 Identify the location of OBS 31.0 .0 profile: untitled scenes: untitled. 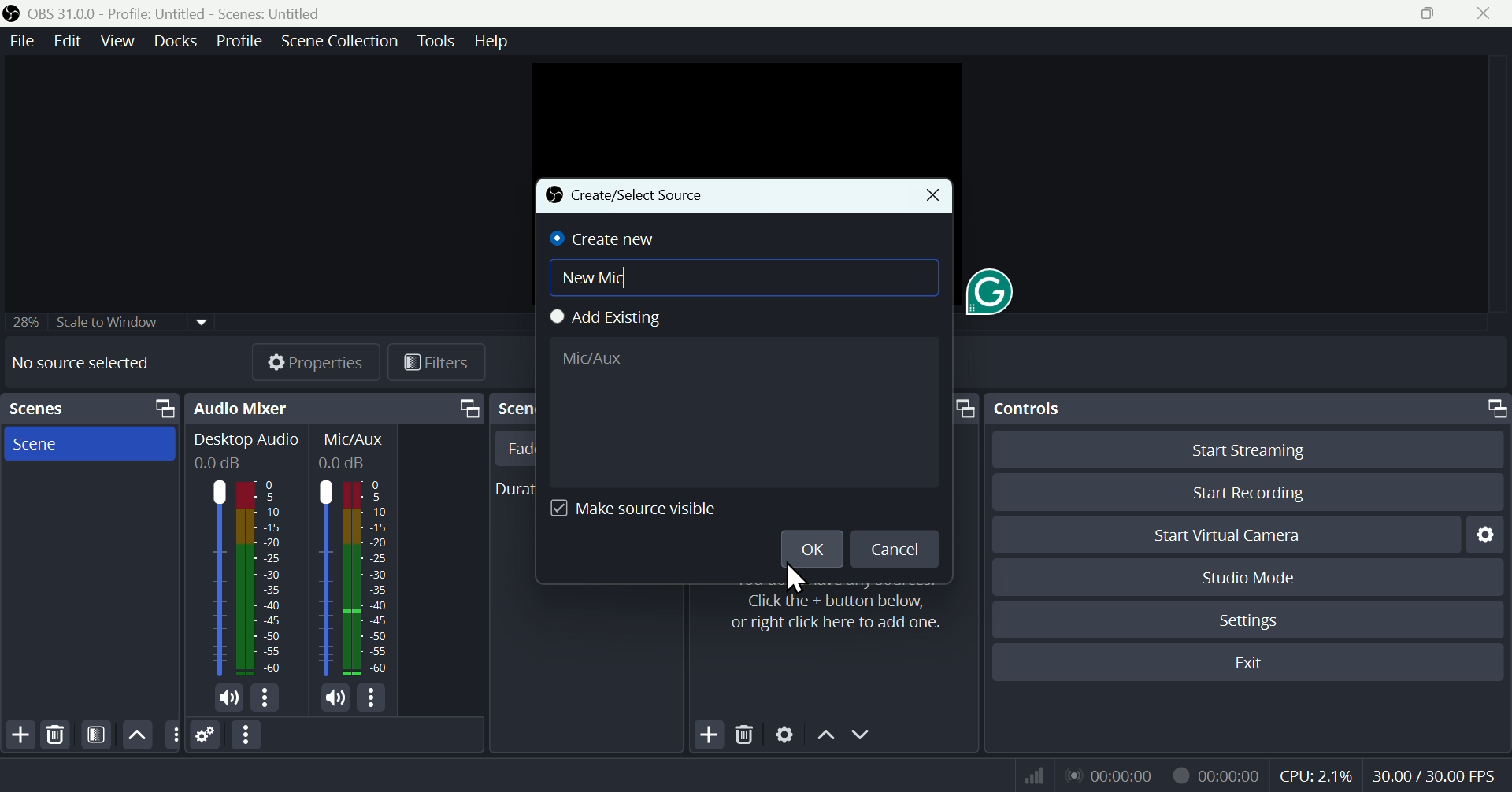
(184, 13).